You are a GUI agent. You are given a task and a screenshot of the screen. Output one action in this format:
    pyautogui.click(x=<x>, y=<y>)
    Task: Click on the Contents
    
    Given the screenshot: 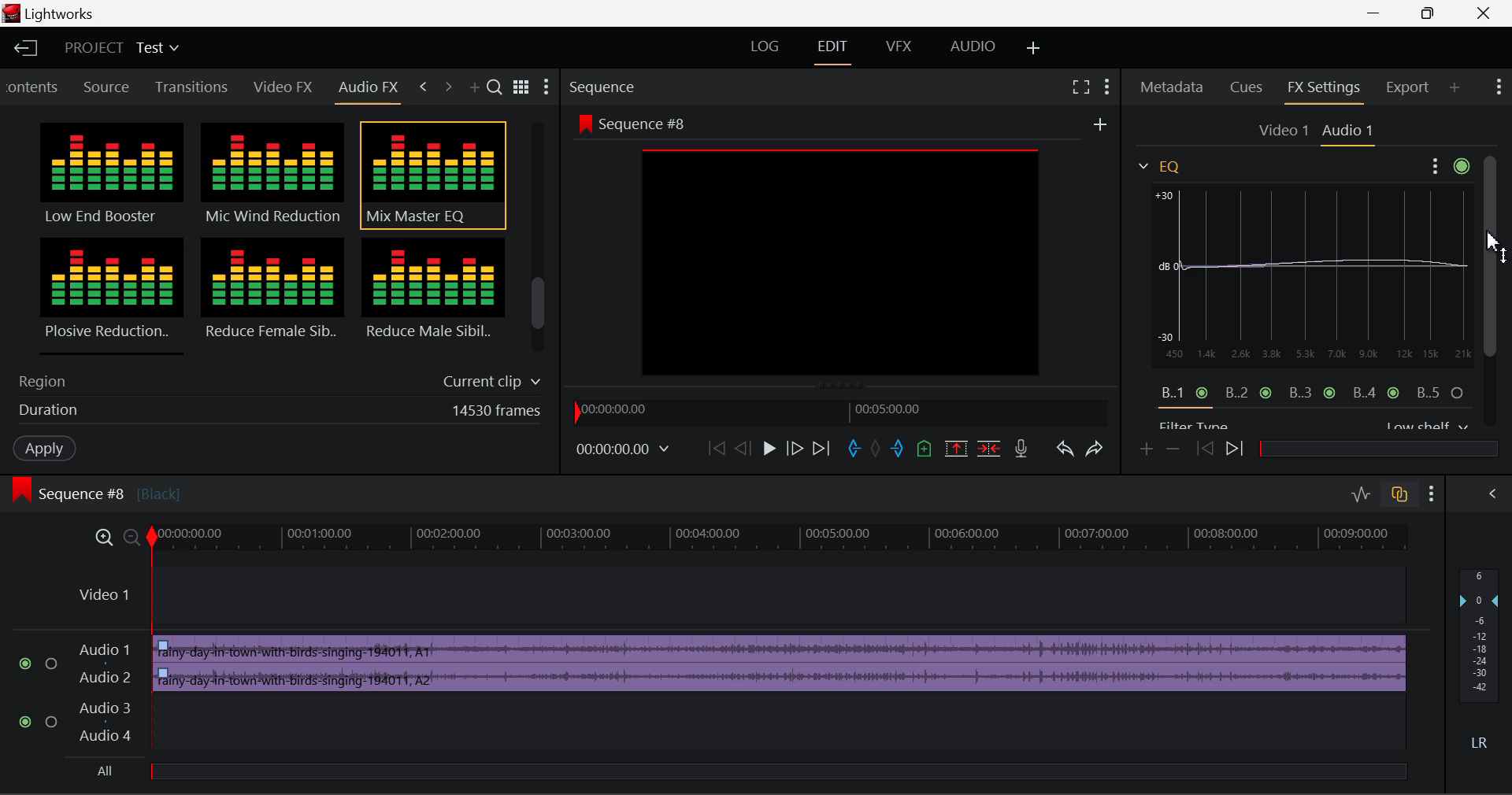 What is the action you would take?
    pyautogui.click(x=34, y=85)
    